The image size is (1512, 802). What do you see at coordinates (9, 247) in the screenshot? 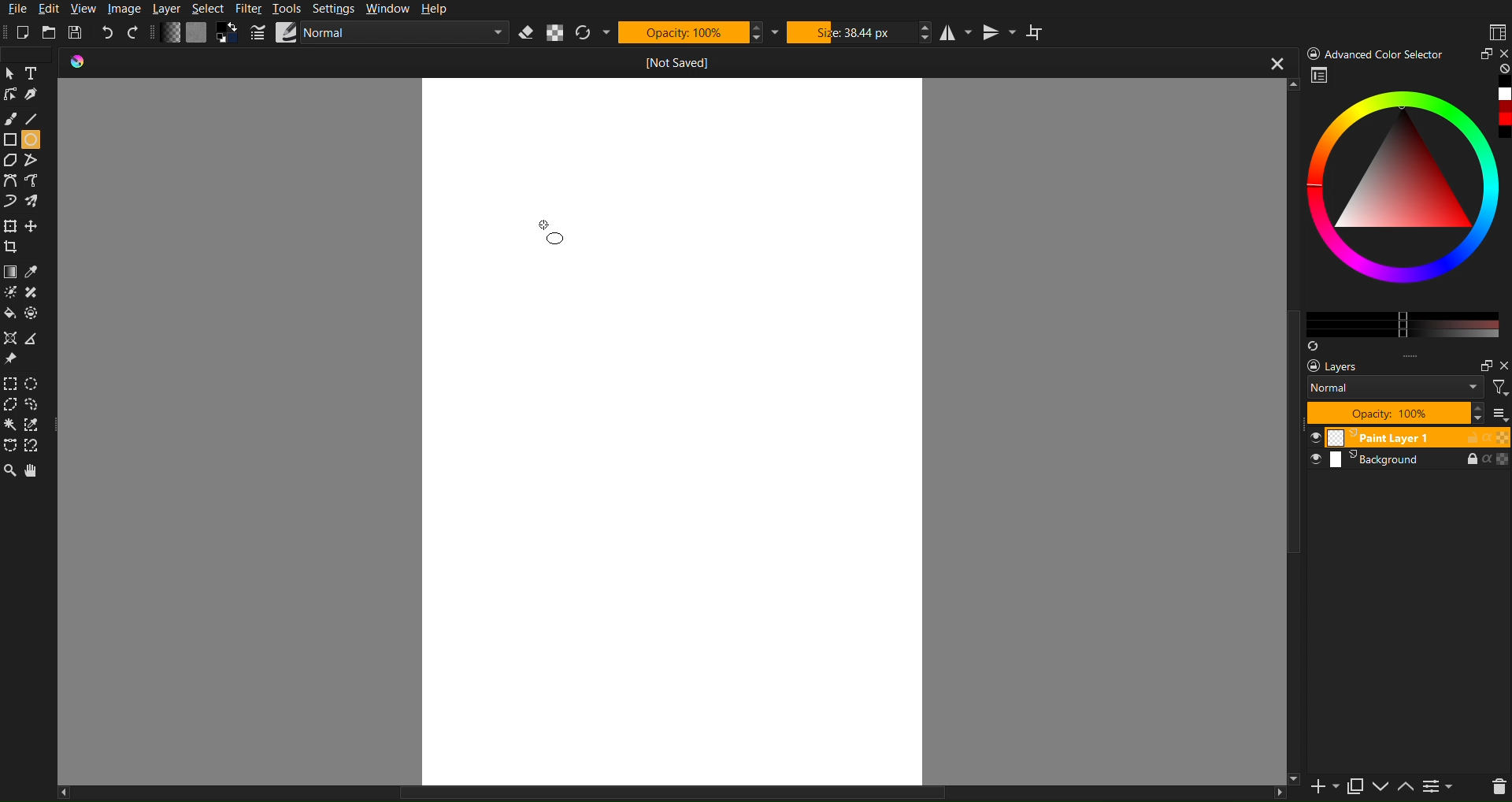
I see `Crop` at bounding box center [9, 247].